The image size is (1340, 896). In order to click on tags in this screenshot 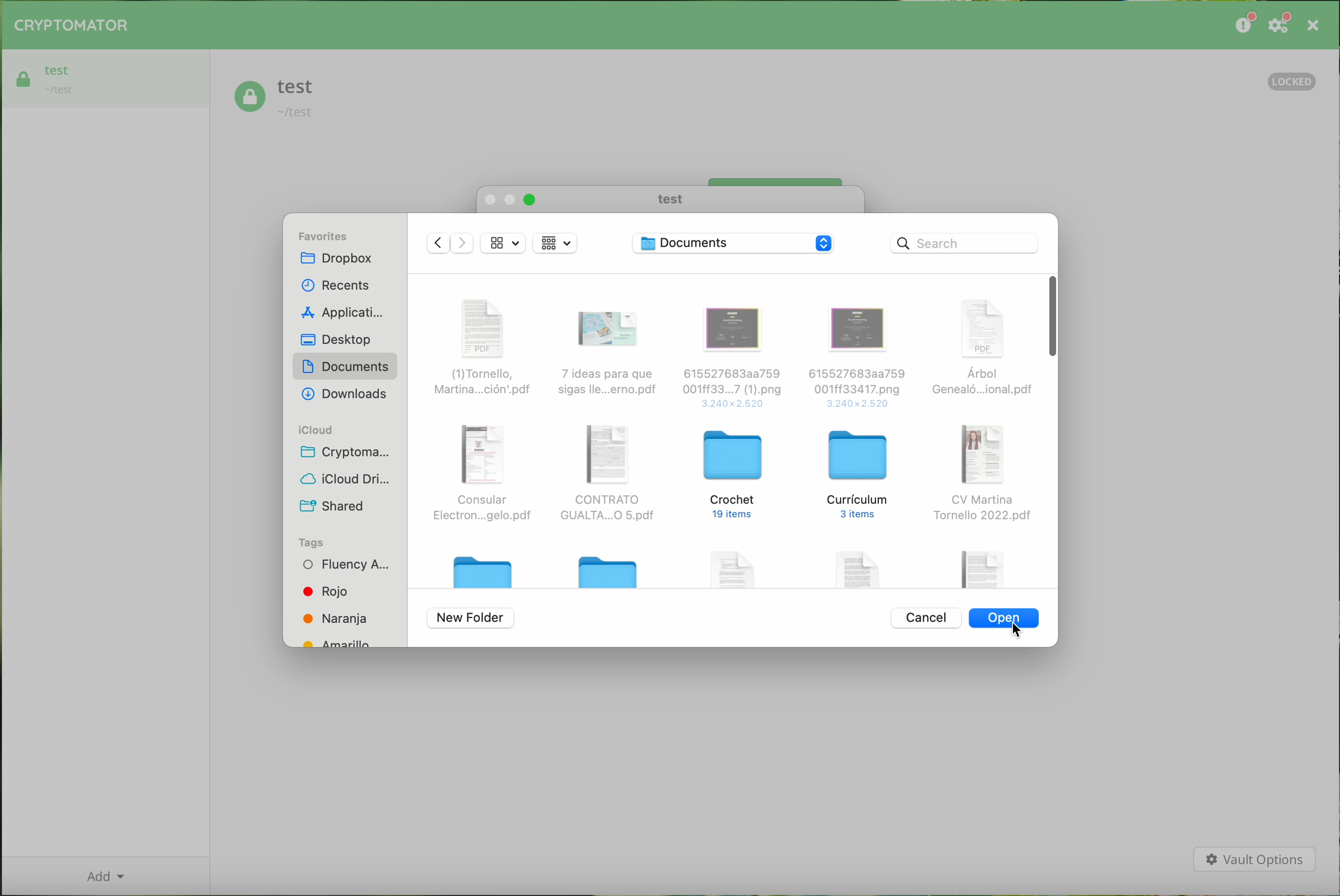, I will do `click(313, 542)`.